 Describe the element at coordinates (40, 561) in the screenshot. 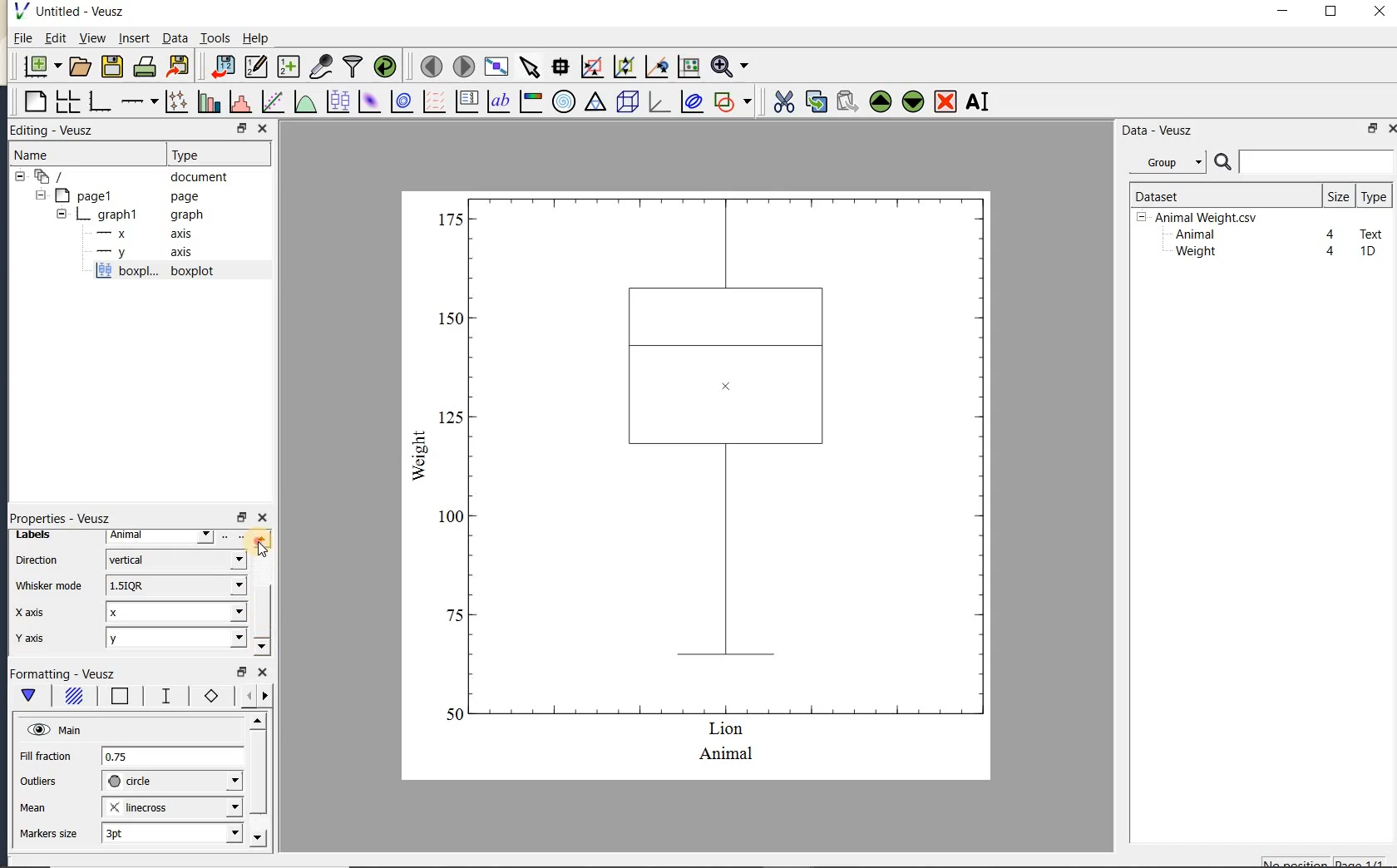

I see `Direction` at that location.